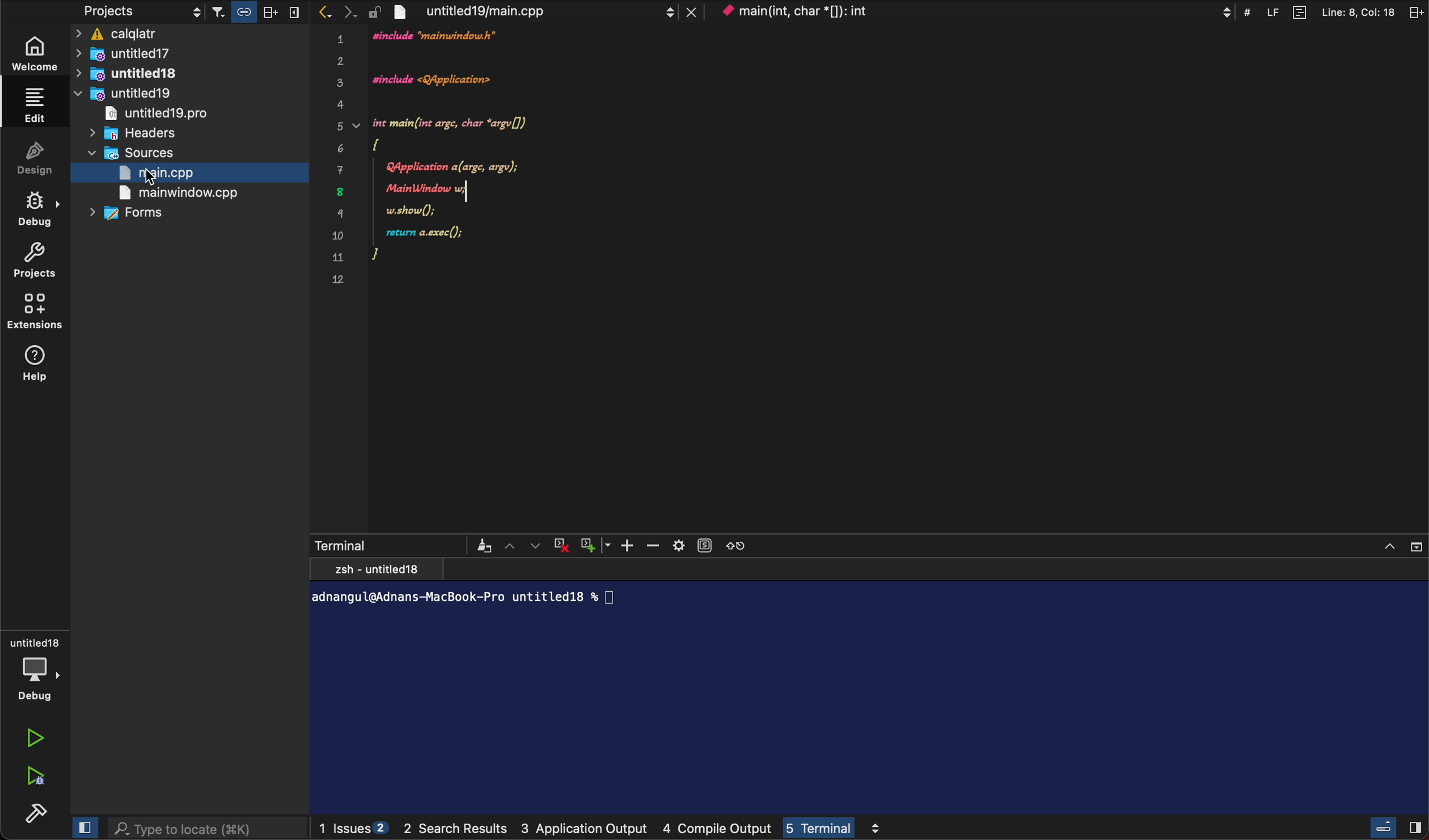  What do you see at coordinates (259, 12) in the screenshot?
I see `` at bounding box center [259, 12].